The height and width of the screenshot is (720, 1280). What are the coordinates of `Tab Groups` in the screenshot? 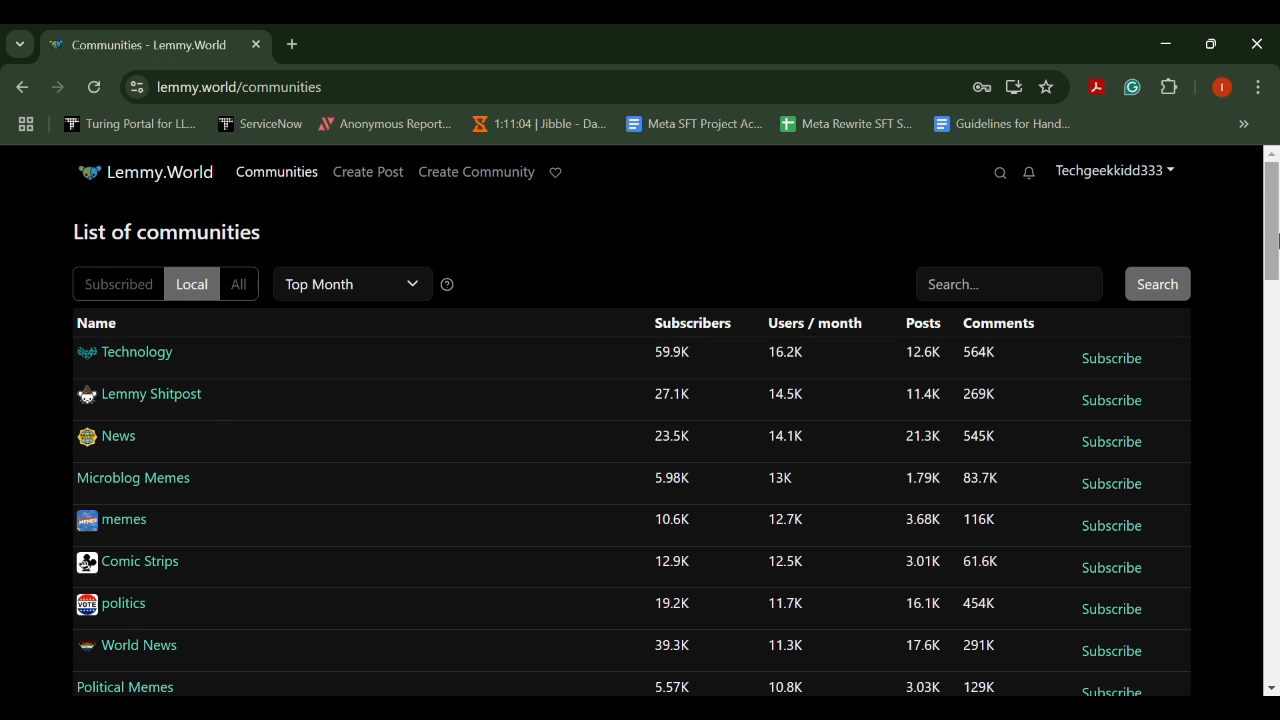 It's located at (23, 125).